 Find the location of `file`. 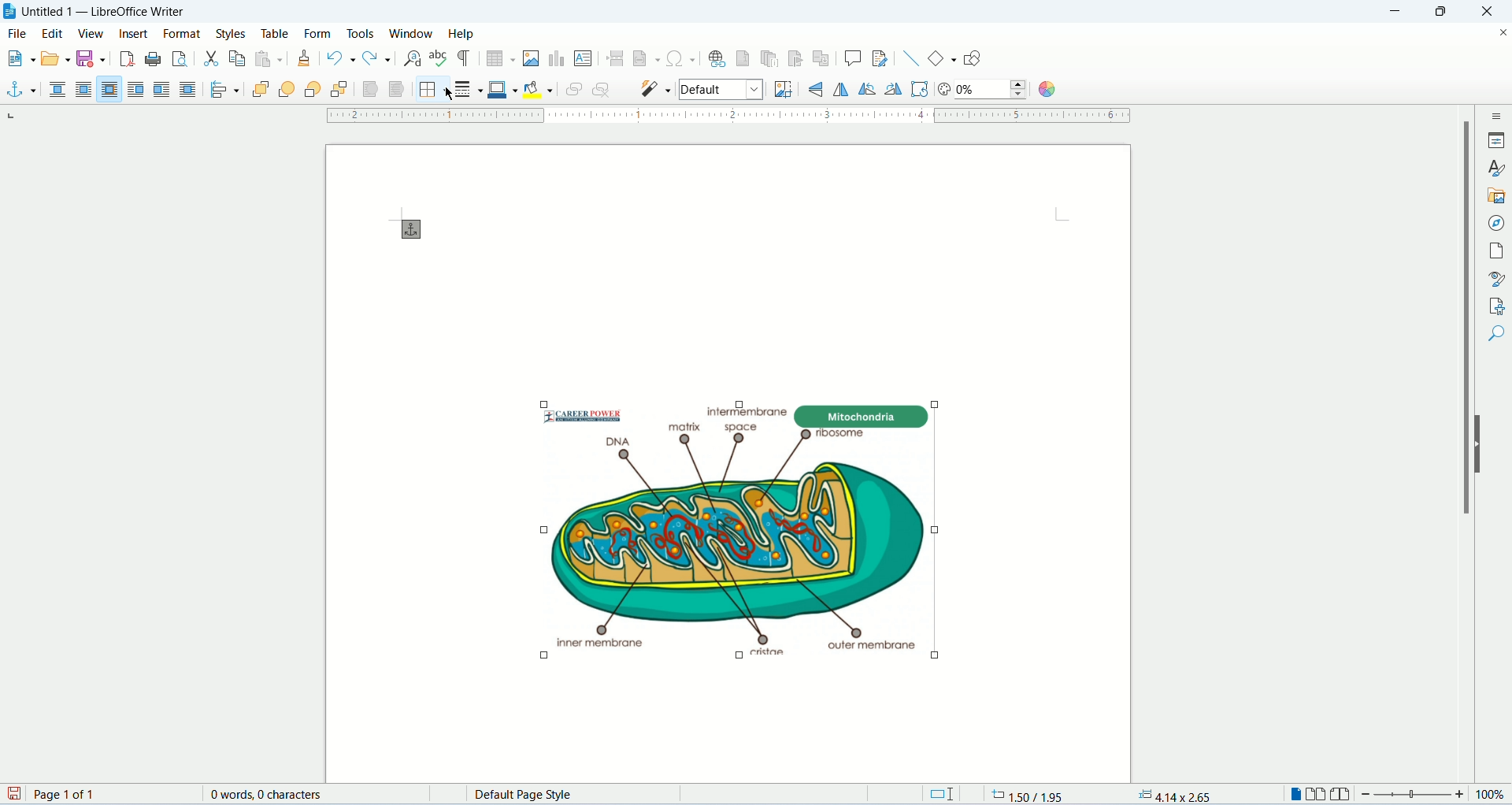

file is located at coordinates (19, 32).